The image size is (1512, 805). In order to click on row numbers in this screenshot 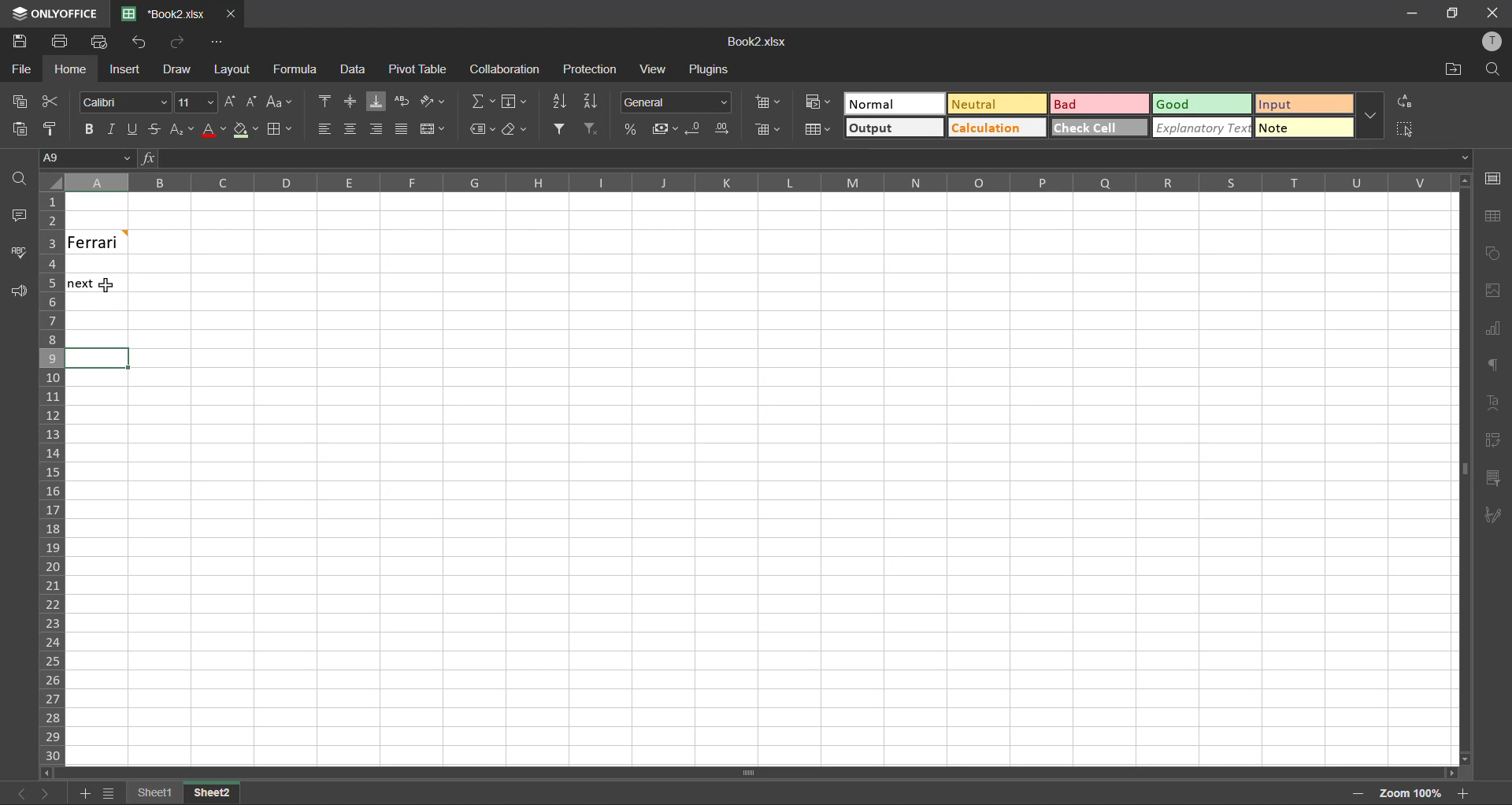, I will do `click(50, 479)`.